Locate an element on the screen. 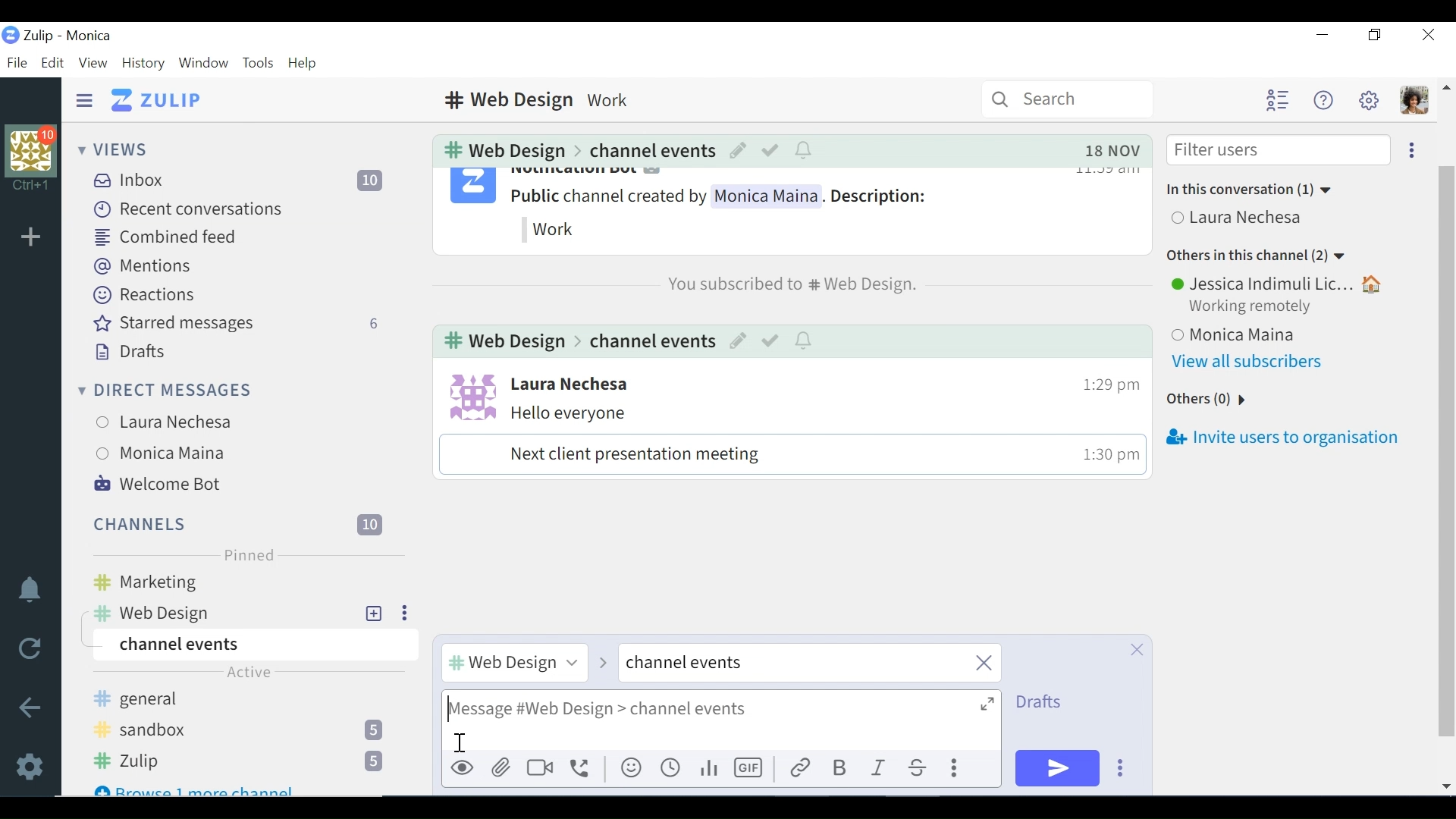 The width and height of the screenshot is (1456, 819). View all subscribers is located at coordinates (1254, 362).